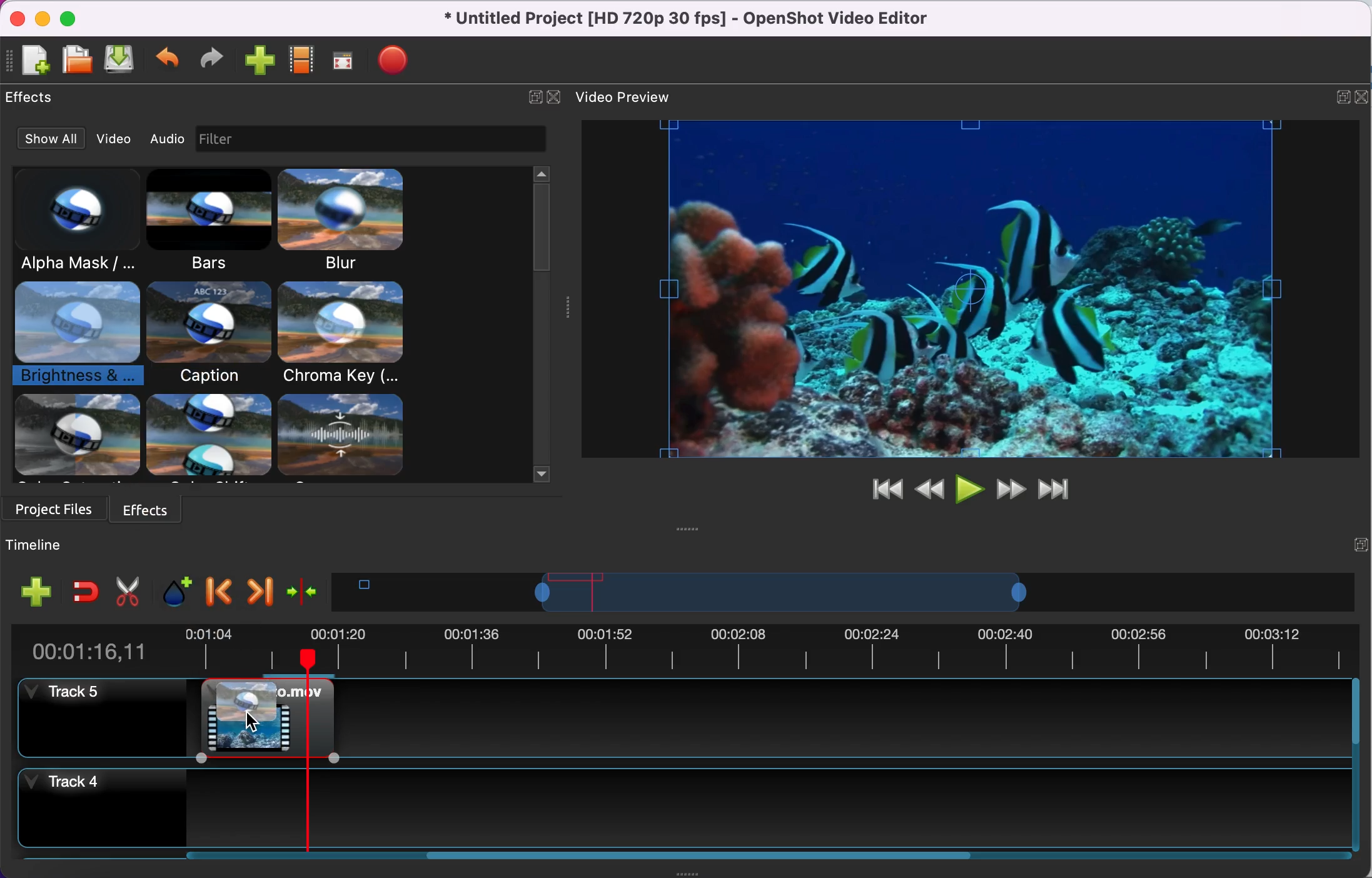  What do you see at coordinates (358, 221) in the screenshot?
I see `blur` at bounding box center [358, 221].